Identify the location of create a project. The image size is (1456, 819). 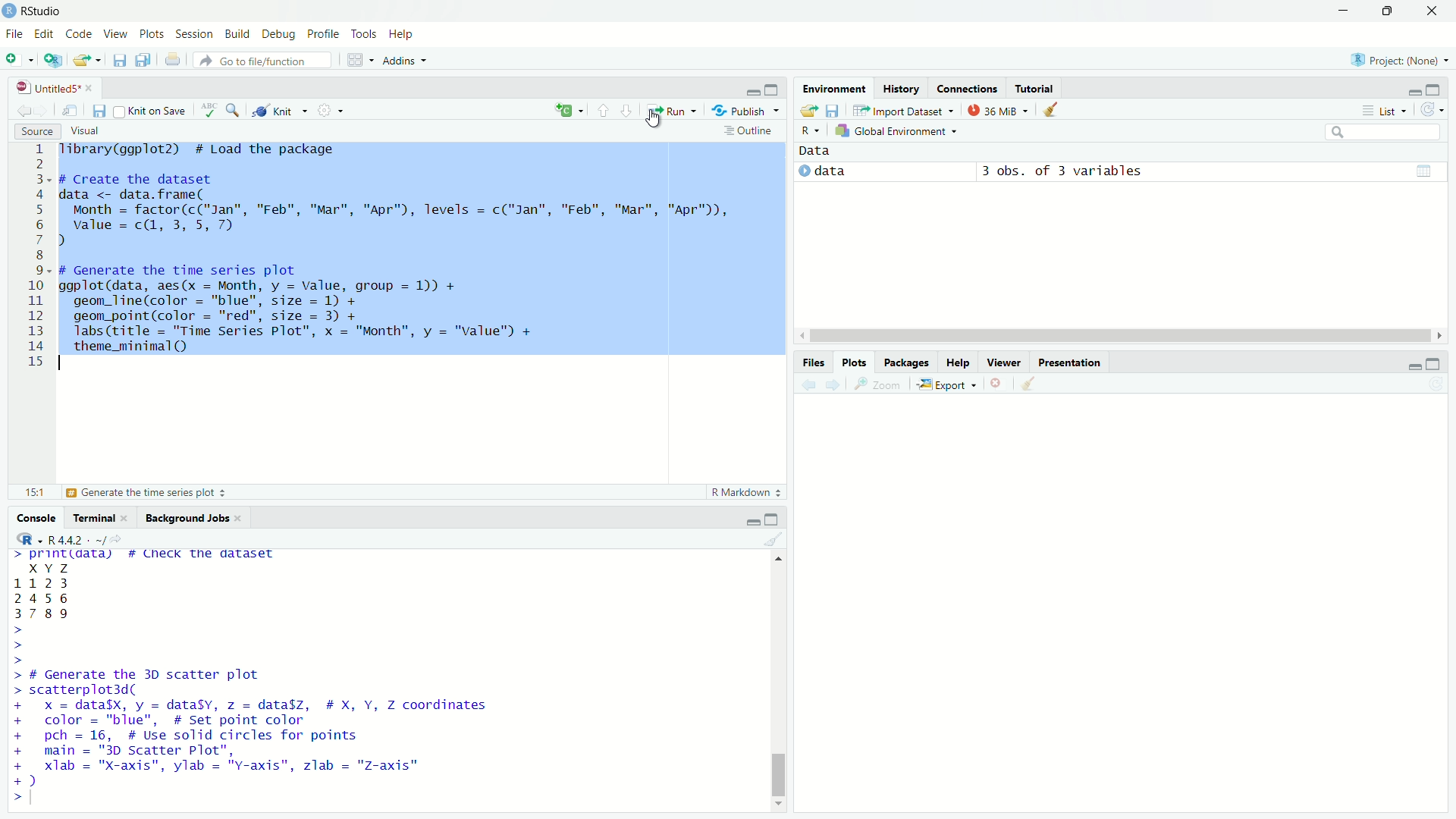
(54, 60).